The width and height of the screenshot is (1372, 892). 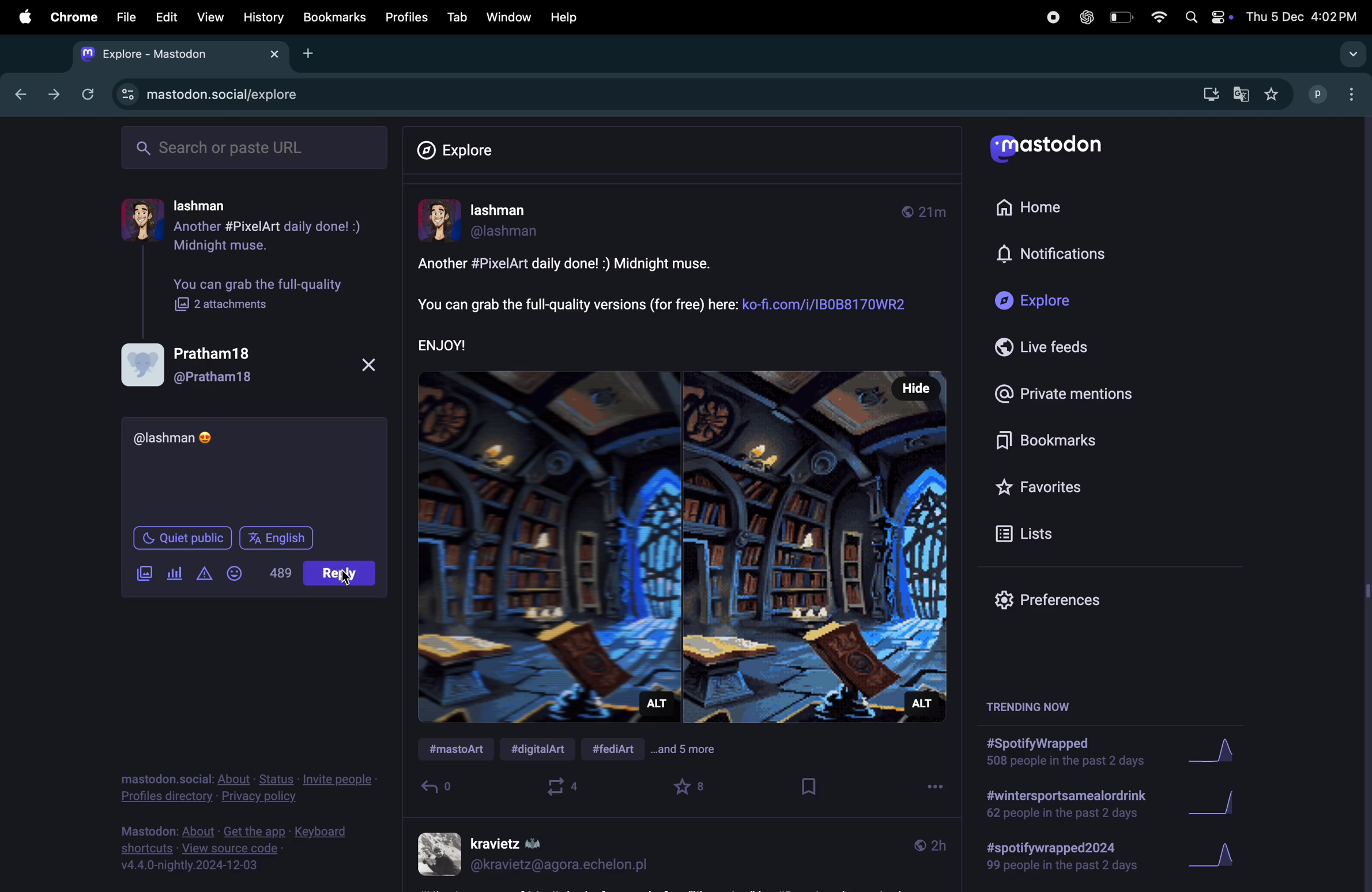 I want to click on Live feeds, so click(x=1062, y=347).